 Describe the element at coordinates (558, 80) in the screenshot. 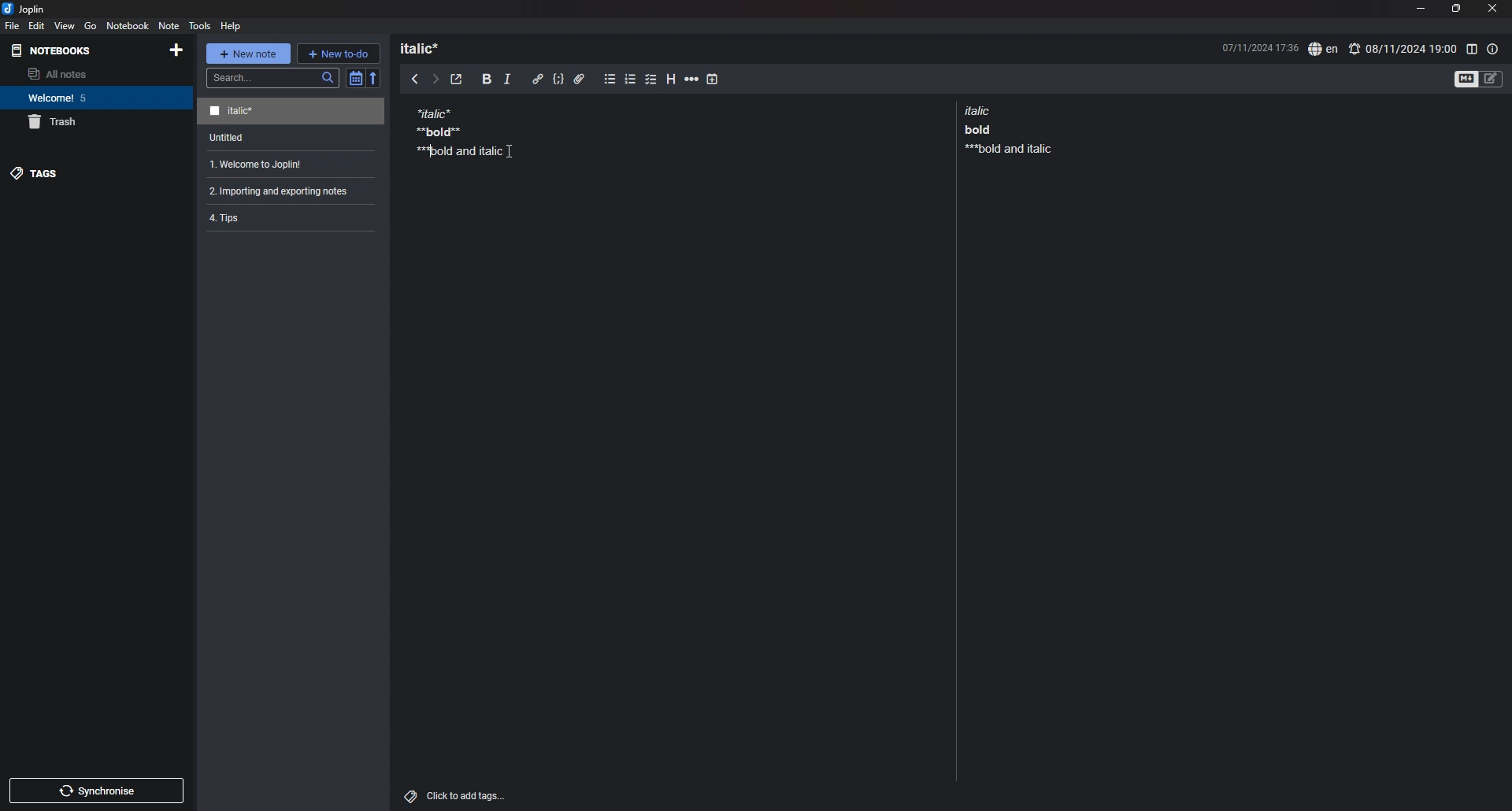

I see `code` at that location.